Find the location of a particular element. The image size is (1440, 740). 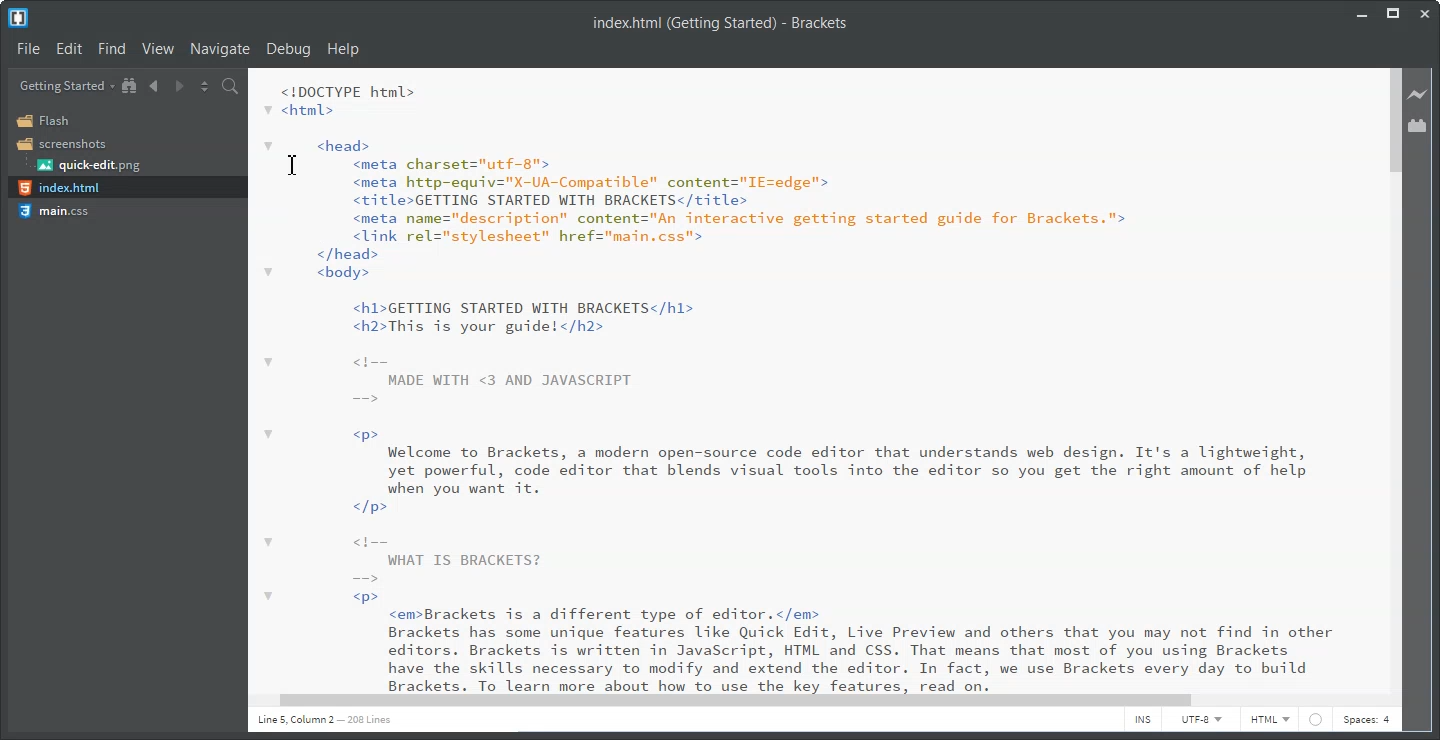

Show in the file tree is located at coordinates (130, 85).